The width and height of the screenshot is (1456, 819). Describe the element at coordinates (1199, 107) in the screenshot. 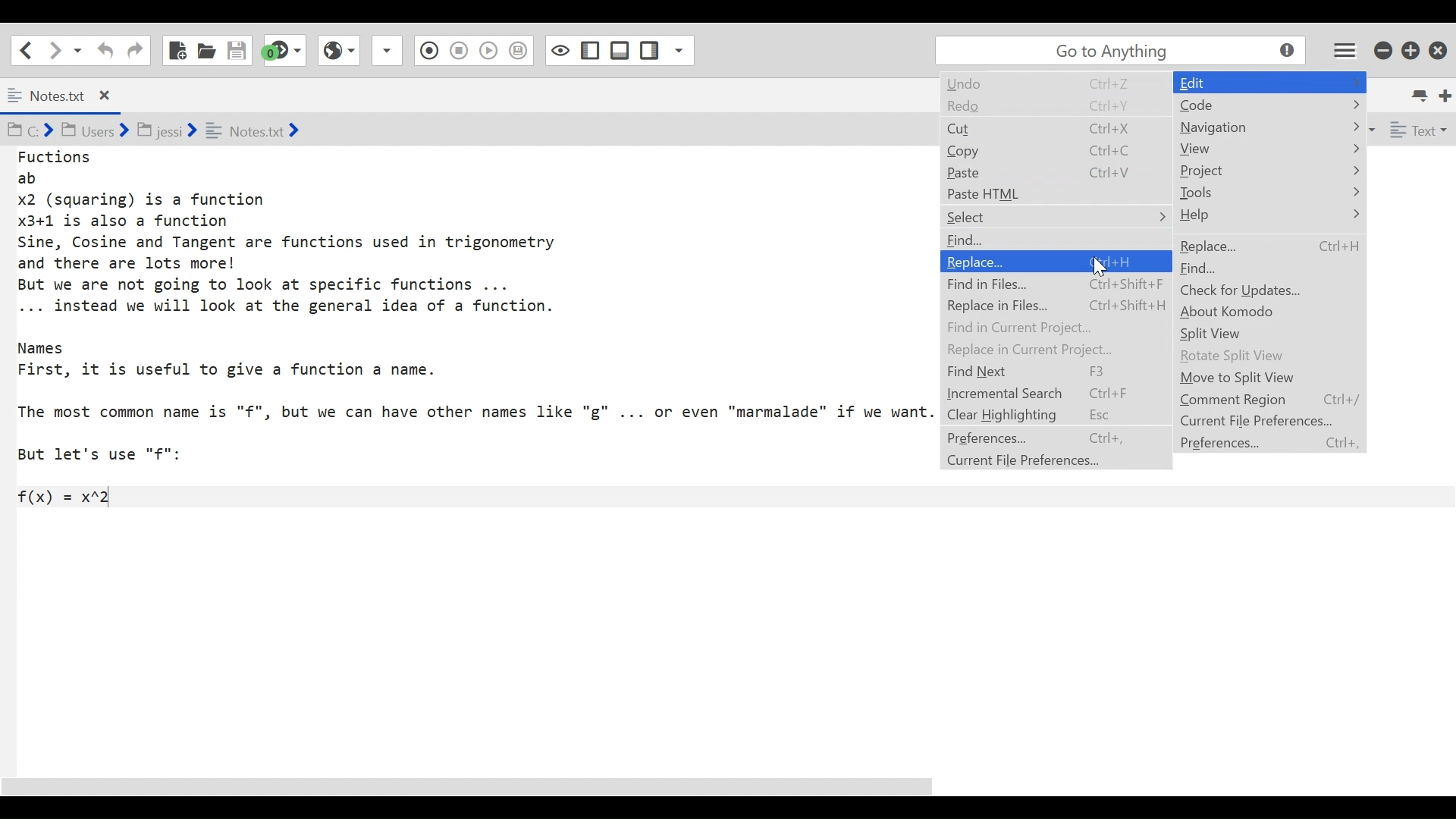

I see `Code` at that location.